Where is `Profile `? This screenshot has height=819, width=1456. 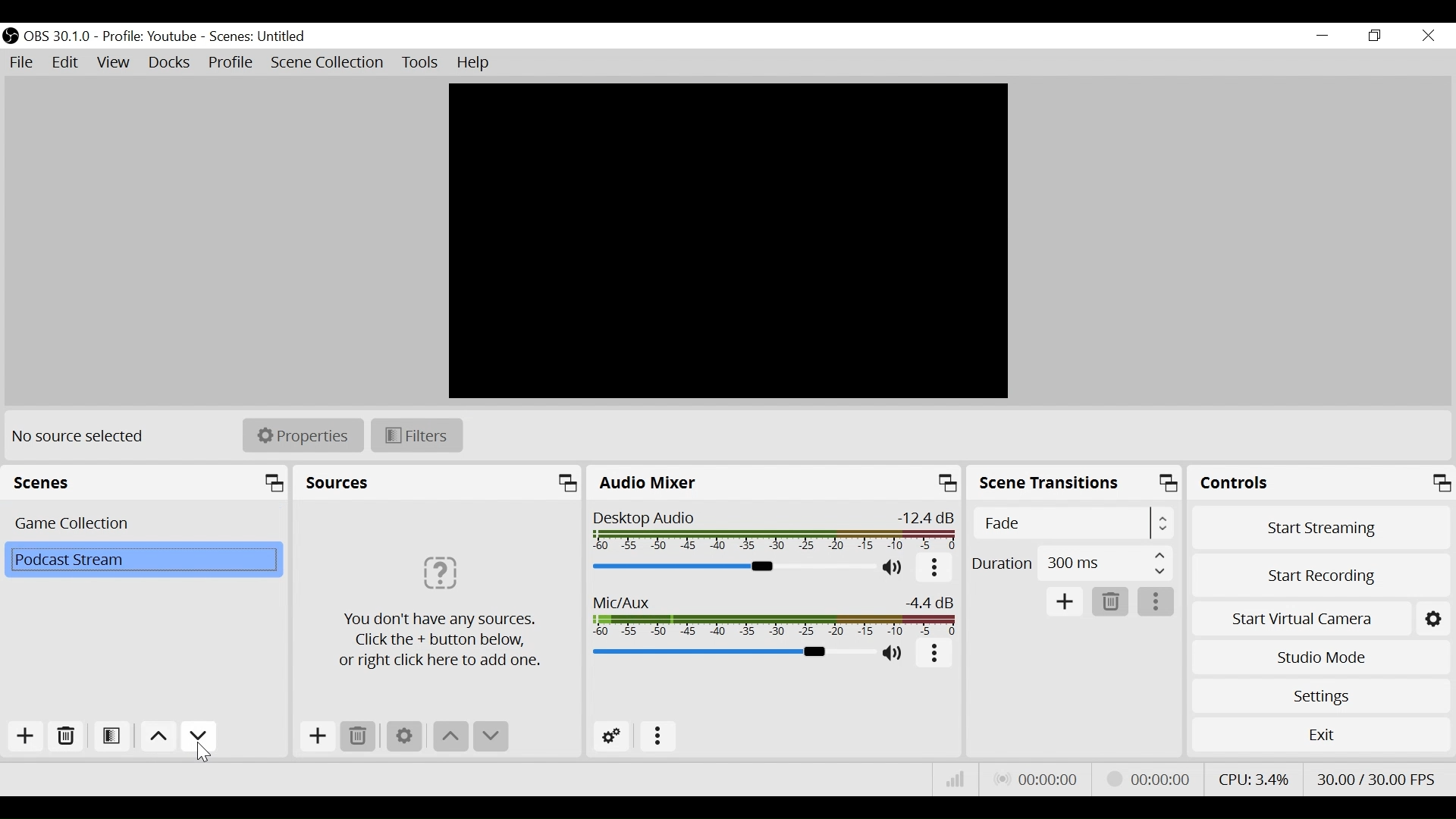
Profile  is located at coordinates (152, 36).